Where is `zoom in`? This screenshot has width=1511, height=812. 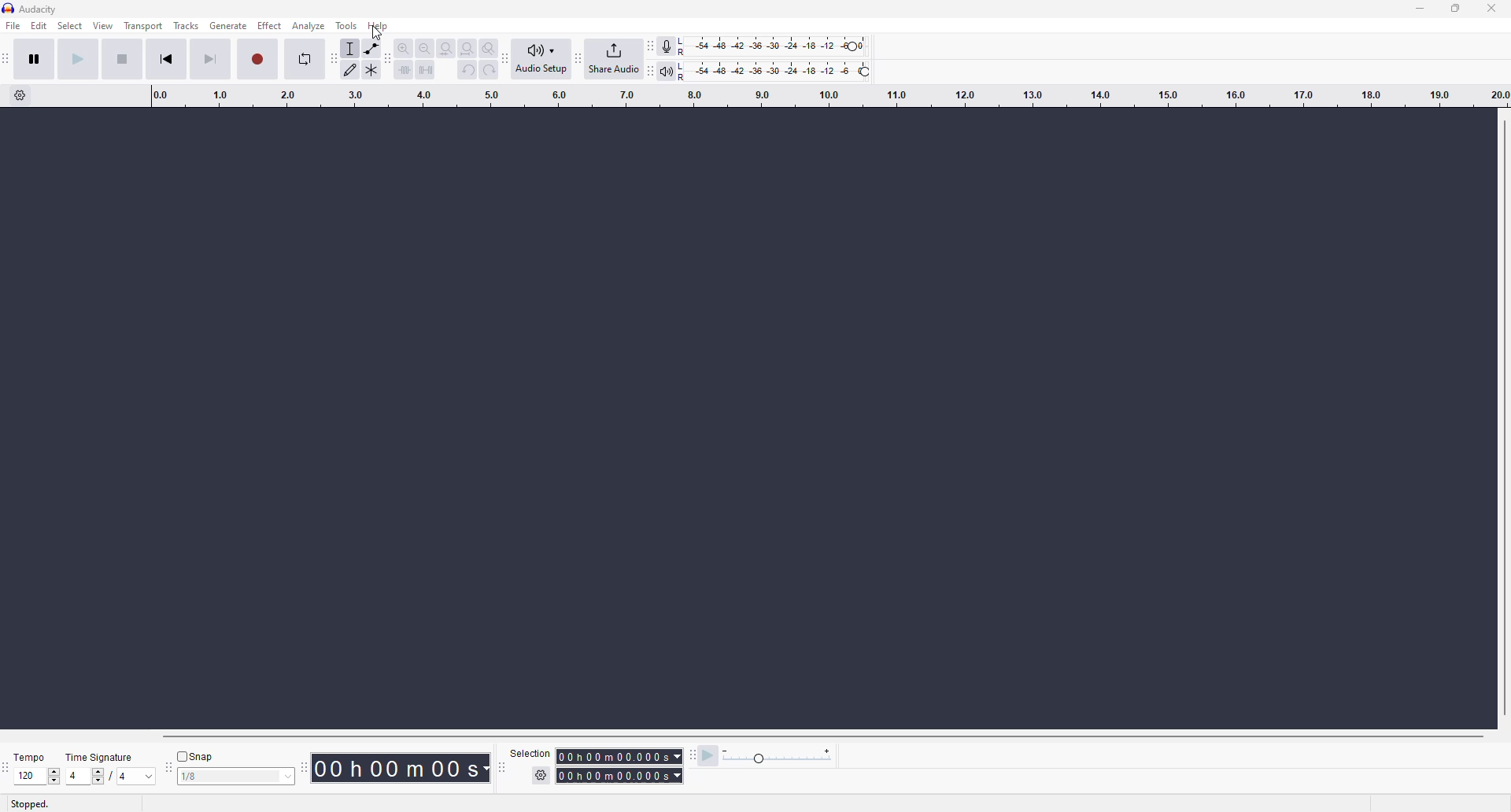
zoom in is located at coordinates (405, 45).